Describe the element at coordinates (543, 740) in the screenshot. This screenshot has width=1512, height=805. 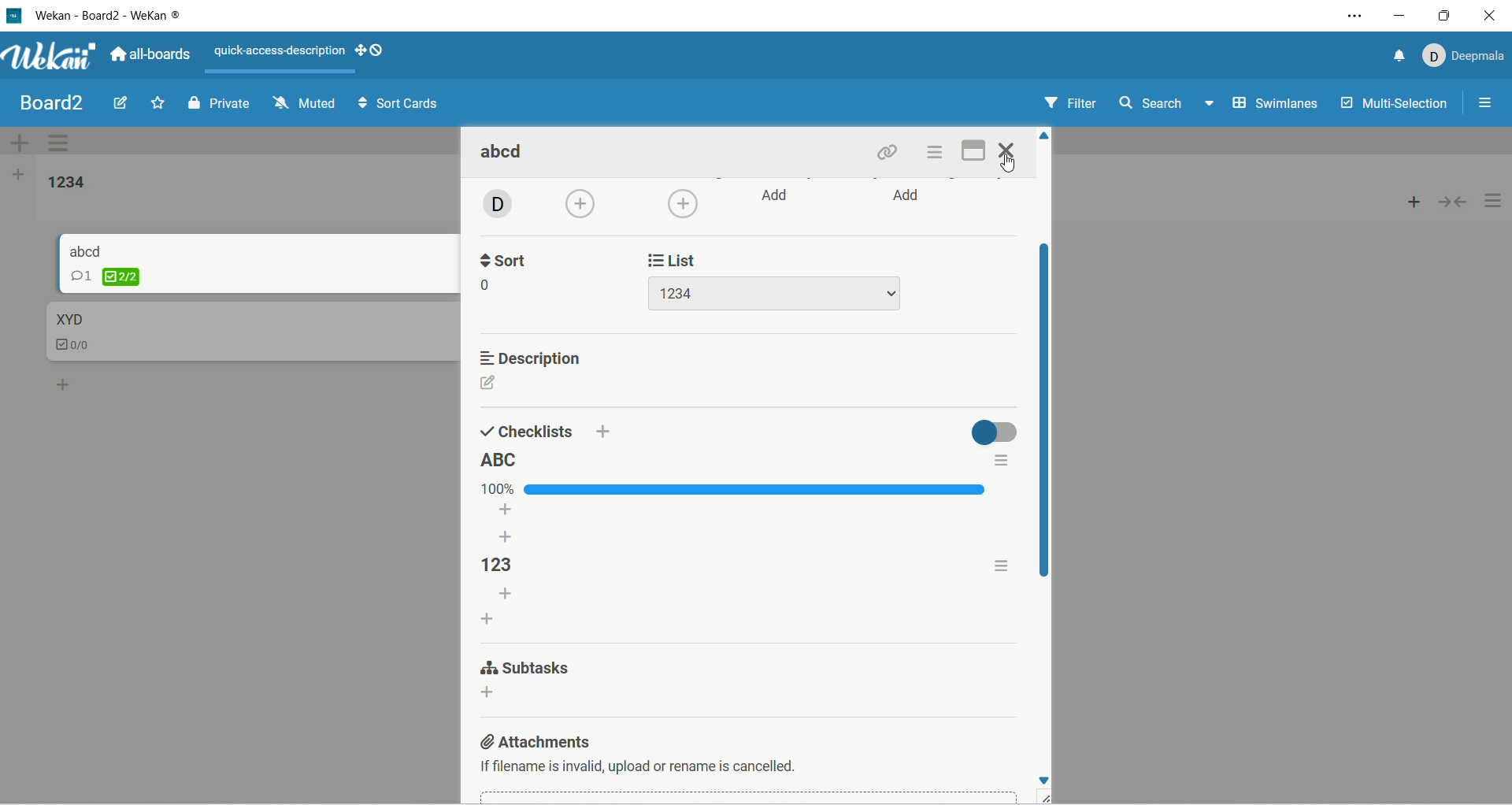
I see `attachments` at that location.